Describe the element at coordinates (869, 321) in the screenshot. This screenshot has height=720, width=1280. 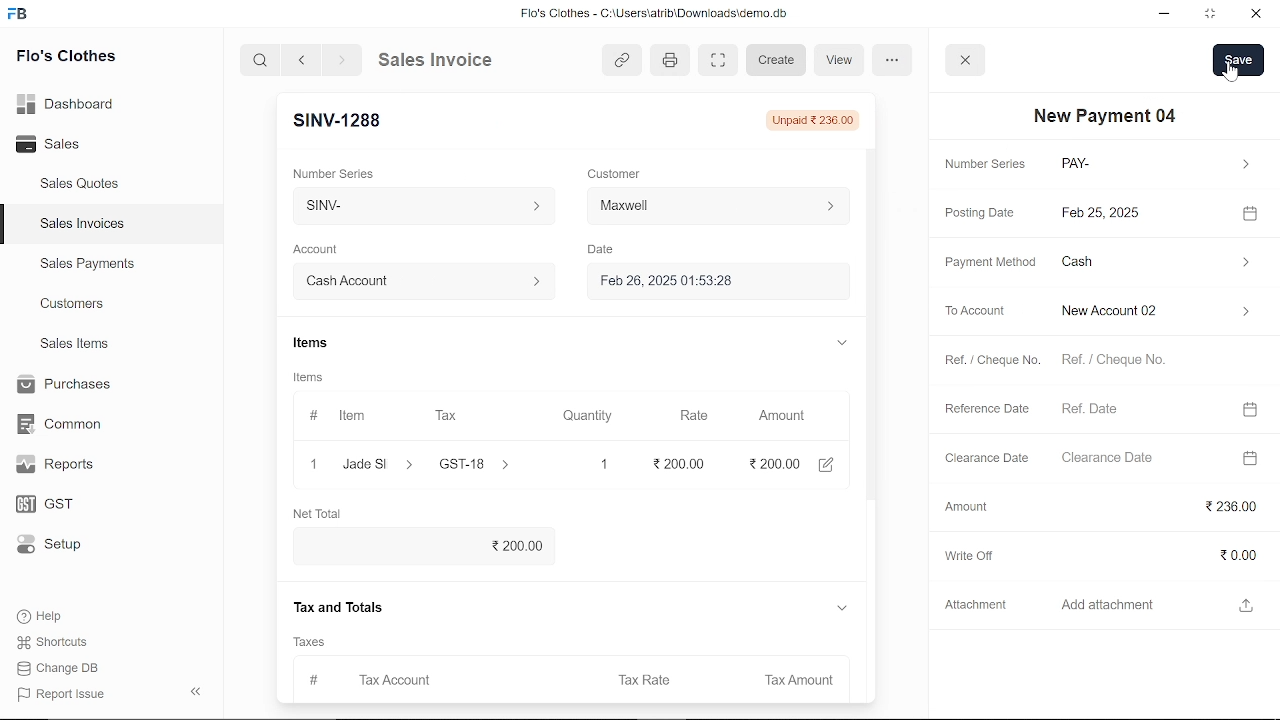
I see `vertical scrollbar` at that location.